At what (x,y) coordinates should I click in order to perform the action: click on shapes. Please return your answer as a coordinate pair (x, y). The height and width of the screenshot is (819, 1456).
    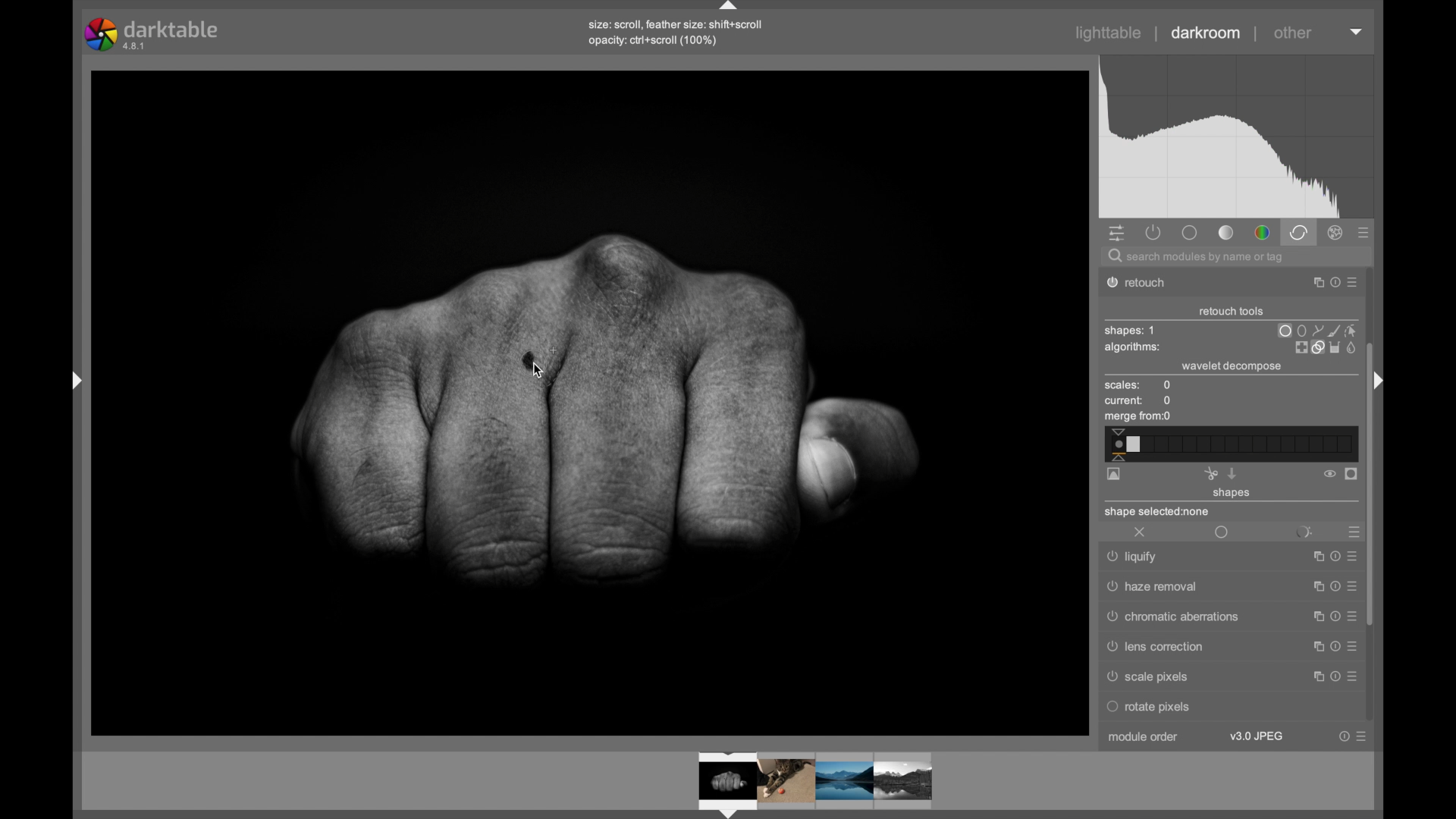
    Looking at the image, I should click on (1232, 494).